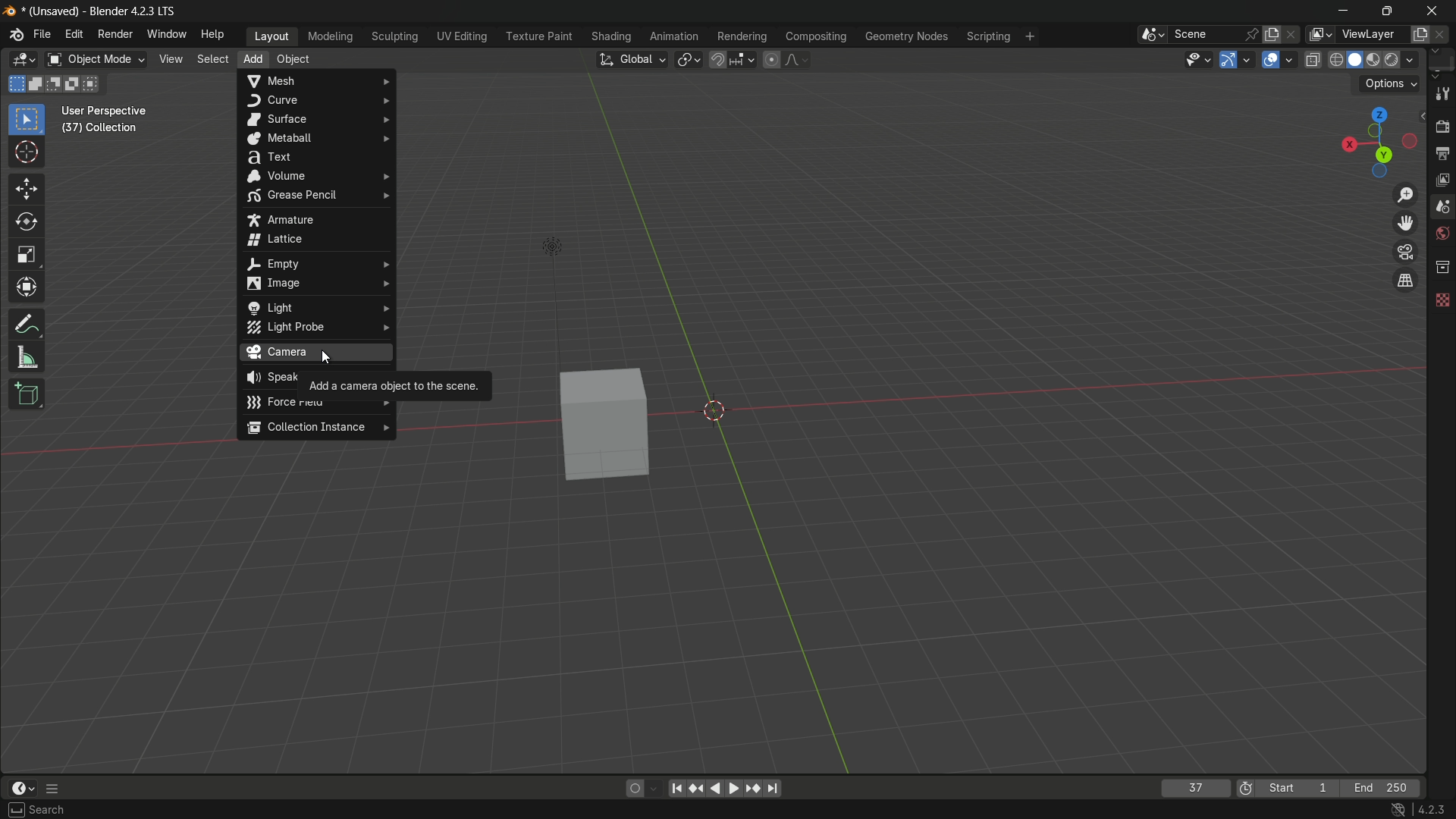 This screenshot has height=819, width=1456. What do you see at coordinates (1441, 235) in the screenshot?
I see `world` at bounding box center [1441, 235].